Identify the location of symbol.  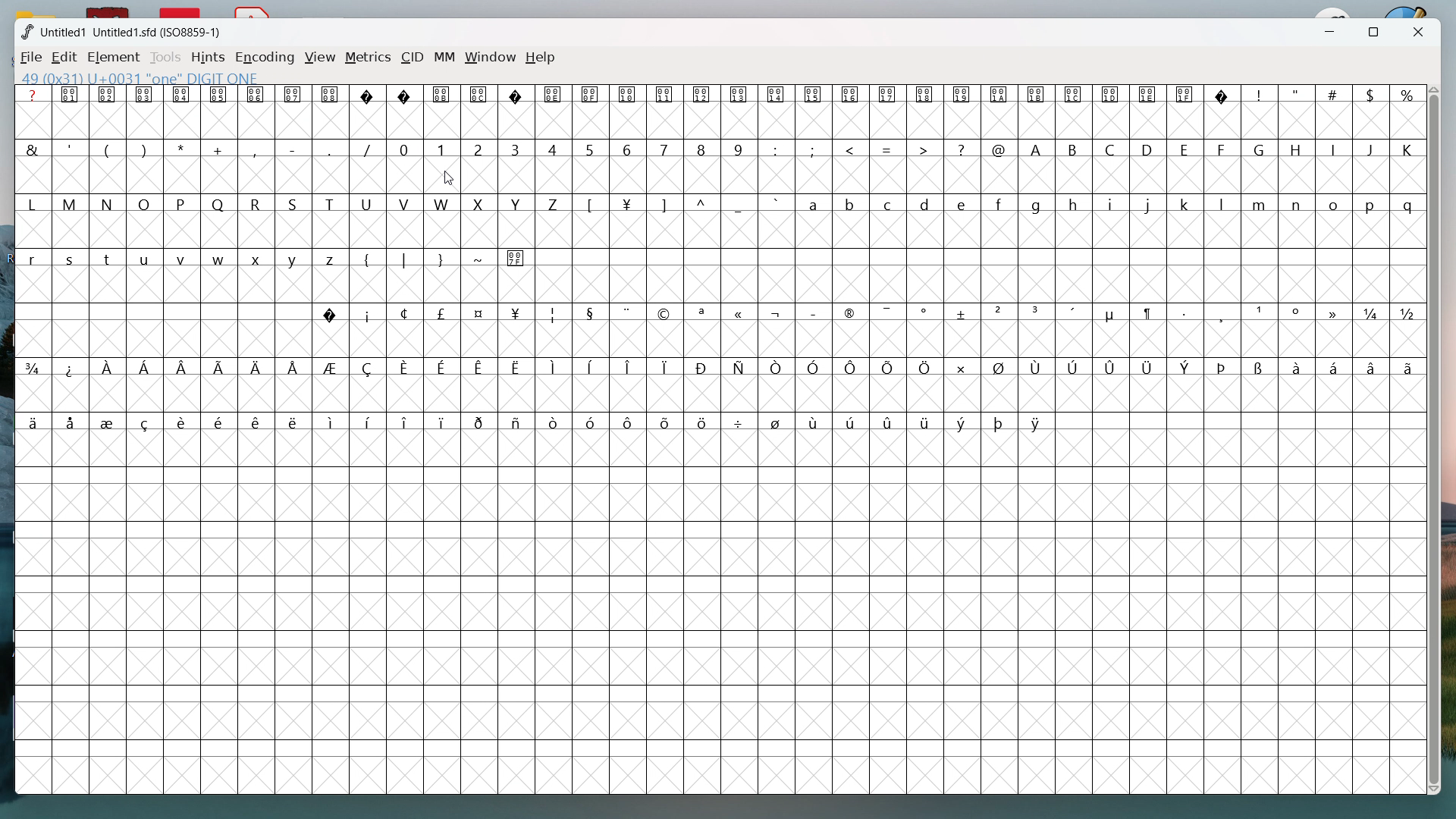
(482, 421).